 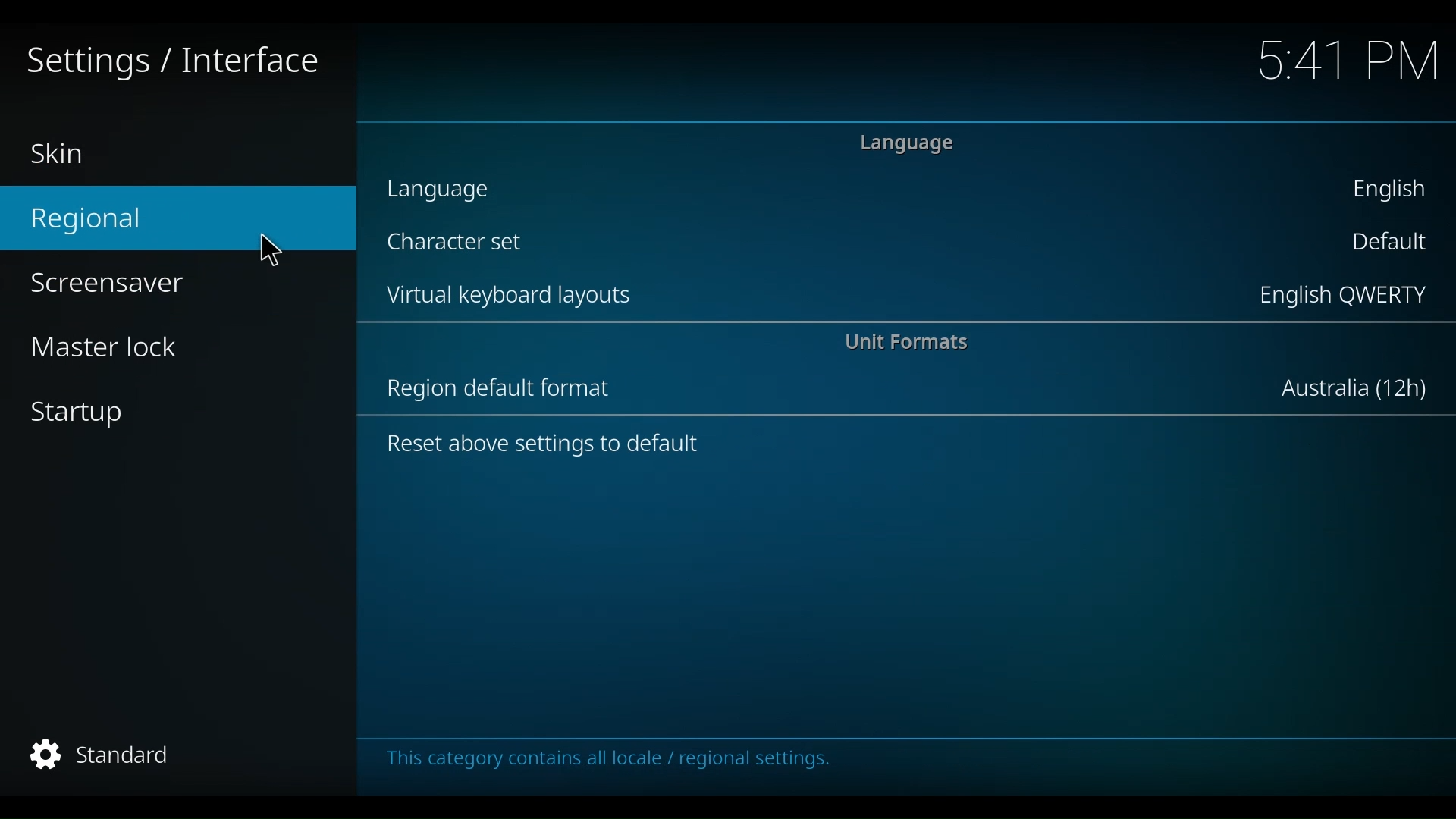 I want to click on Virtual keyboard layout, so click(x=513, y=297).